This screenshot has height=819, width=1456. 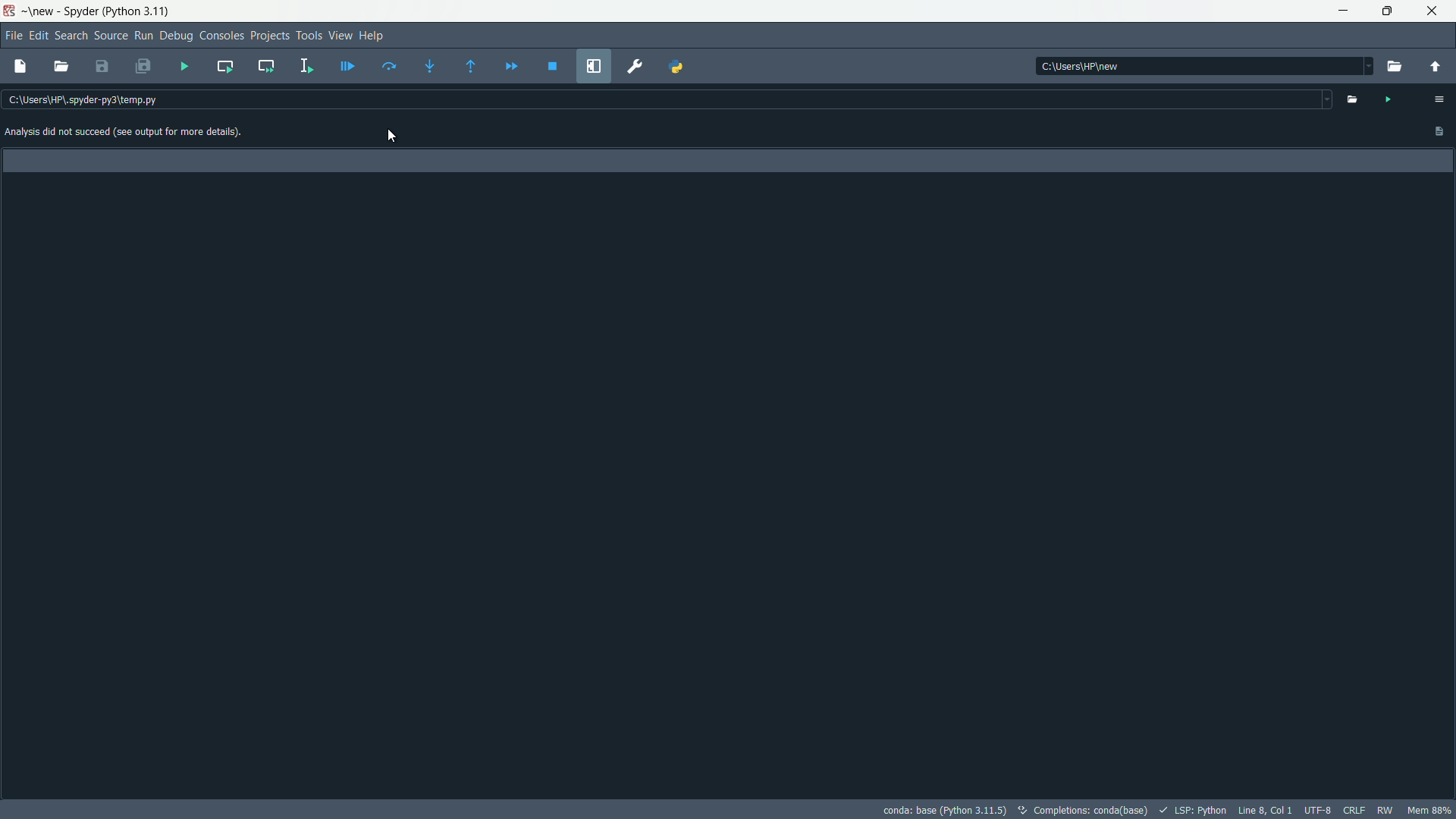 What do you see at coordinates (429, 65) in the screenshot?
I see `step into function` at bounding box center [429, 65].